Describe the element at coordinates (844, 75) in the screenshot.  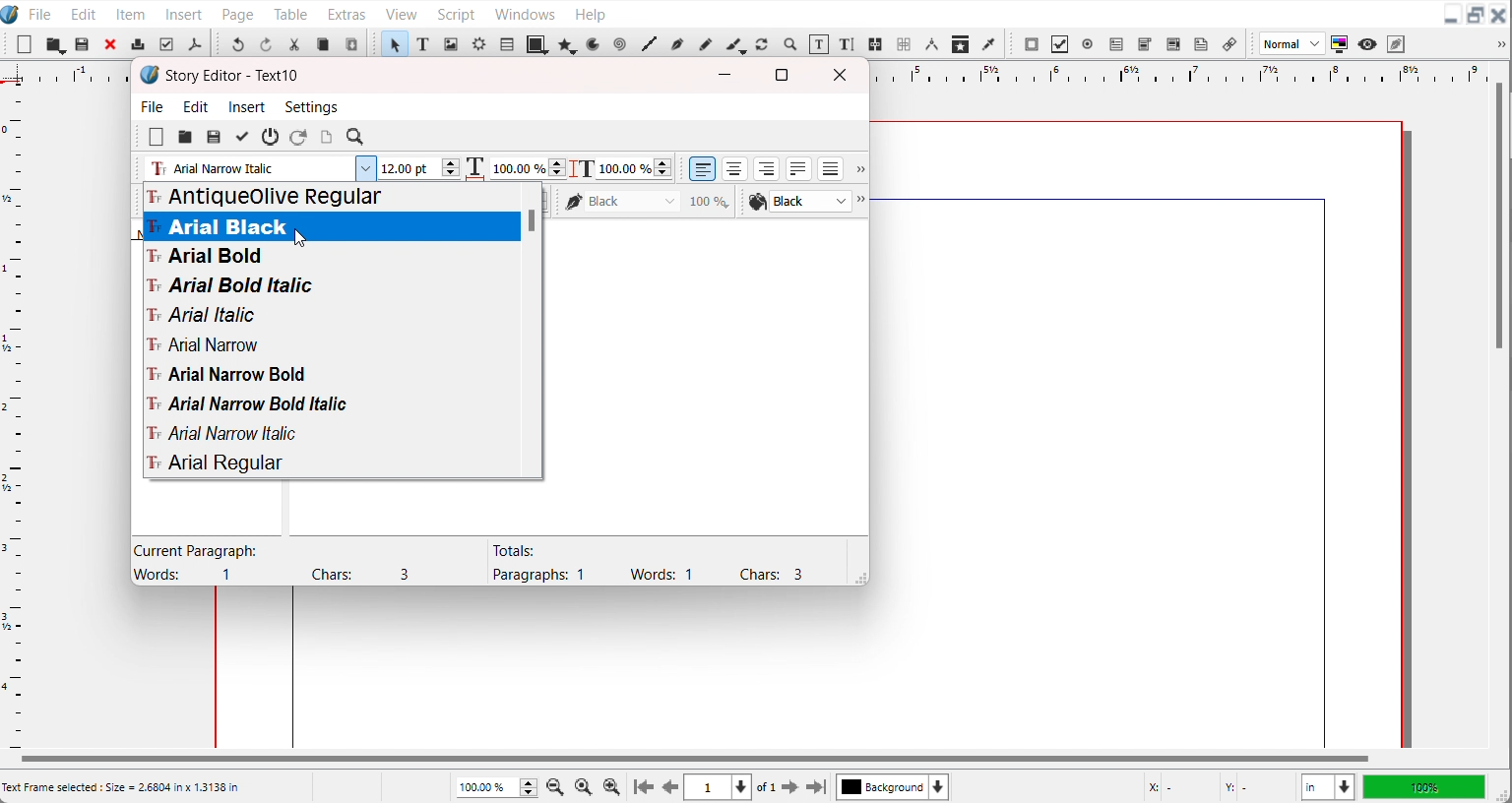
I see `Close` at that location.